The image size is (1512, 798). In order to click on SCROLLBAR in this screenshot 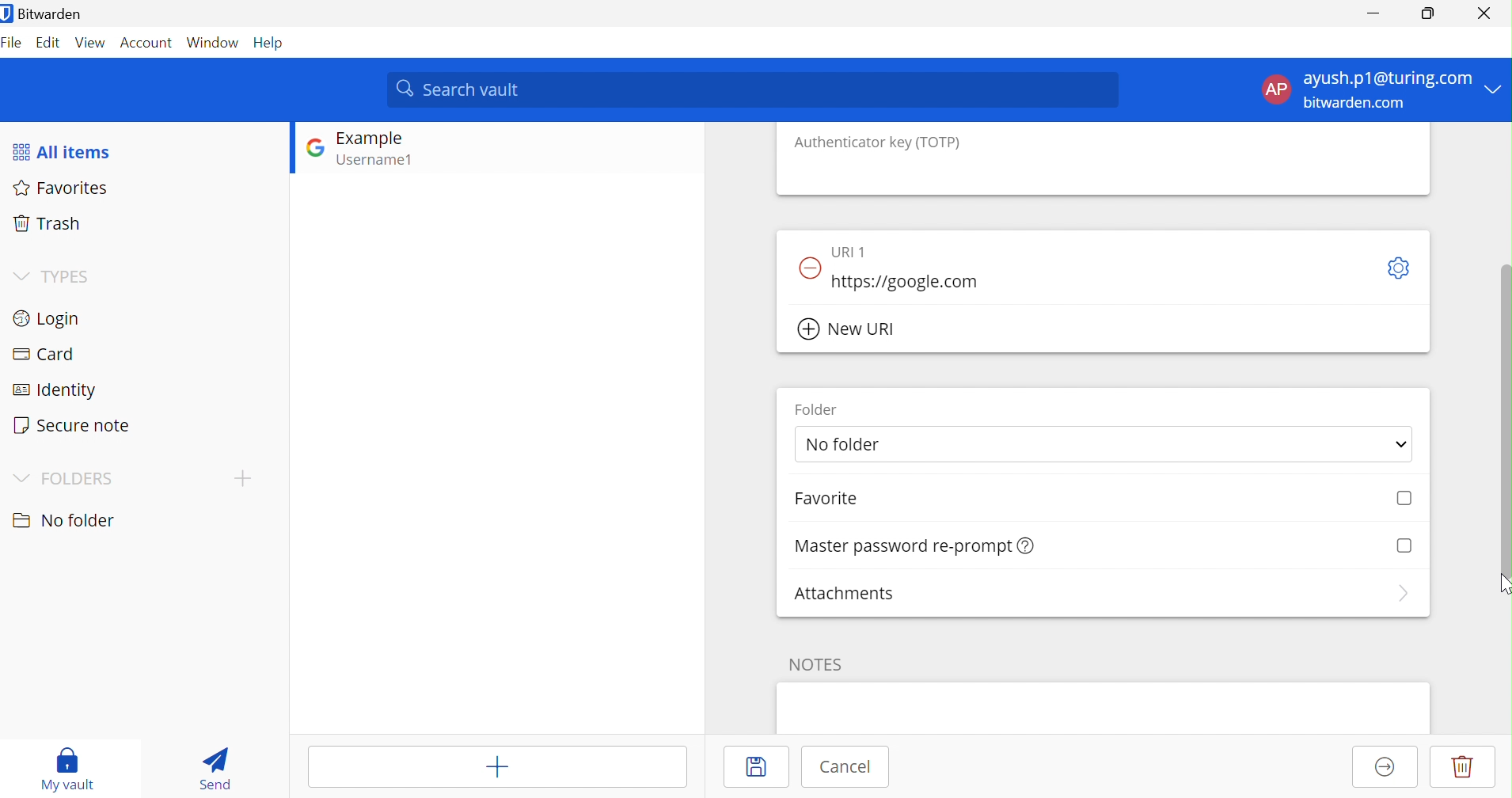, I will do `click(1503, 403)`.